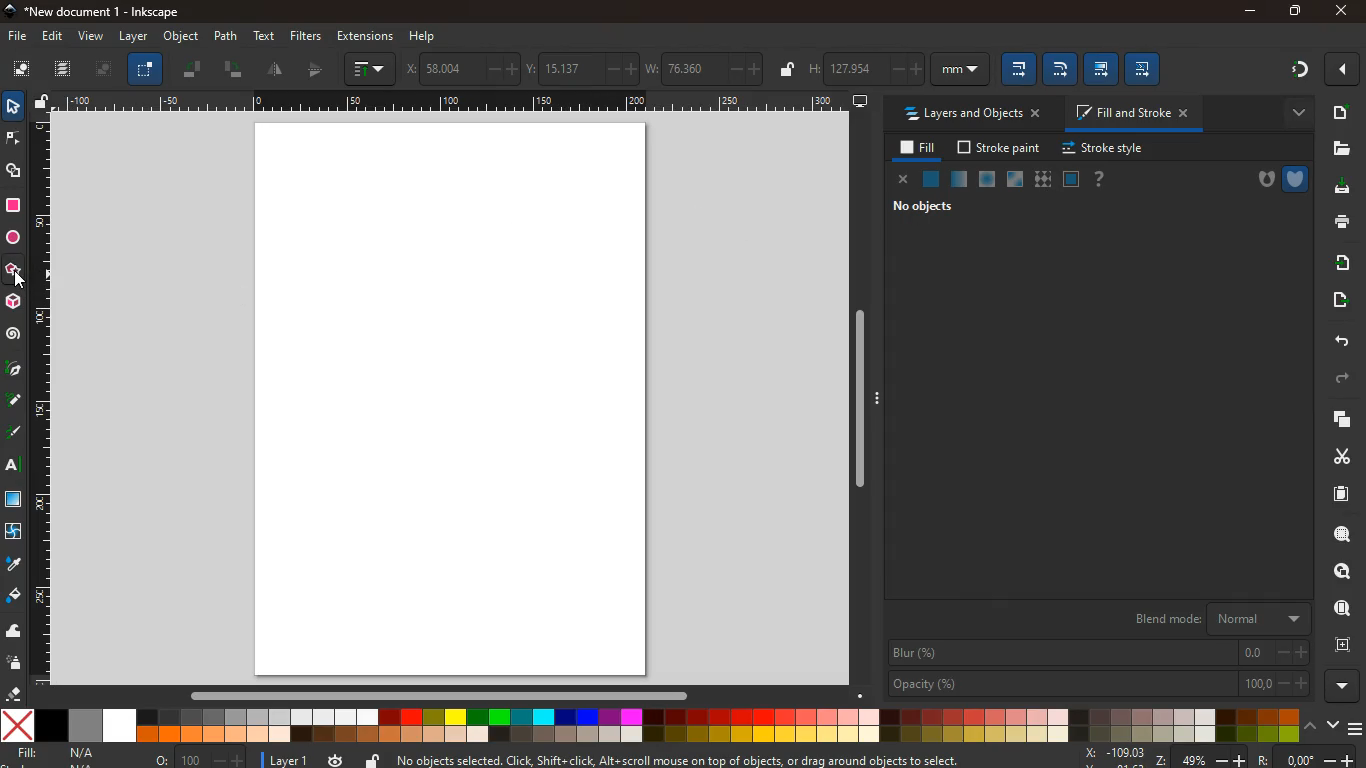 The image size is (1366, 768). Describe the element at coordinates (1333, 726) in the screenshot. I see `down` at that location.